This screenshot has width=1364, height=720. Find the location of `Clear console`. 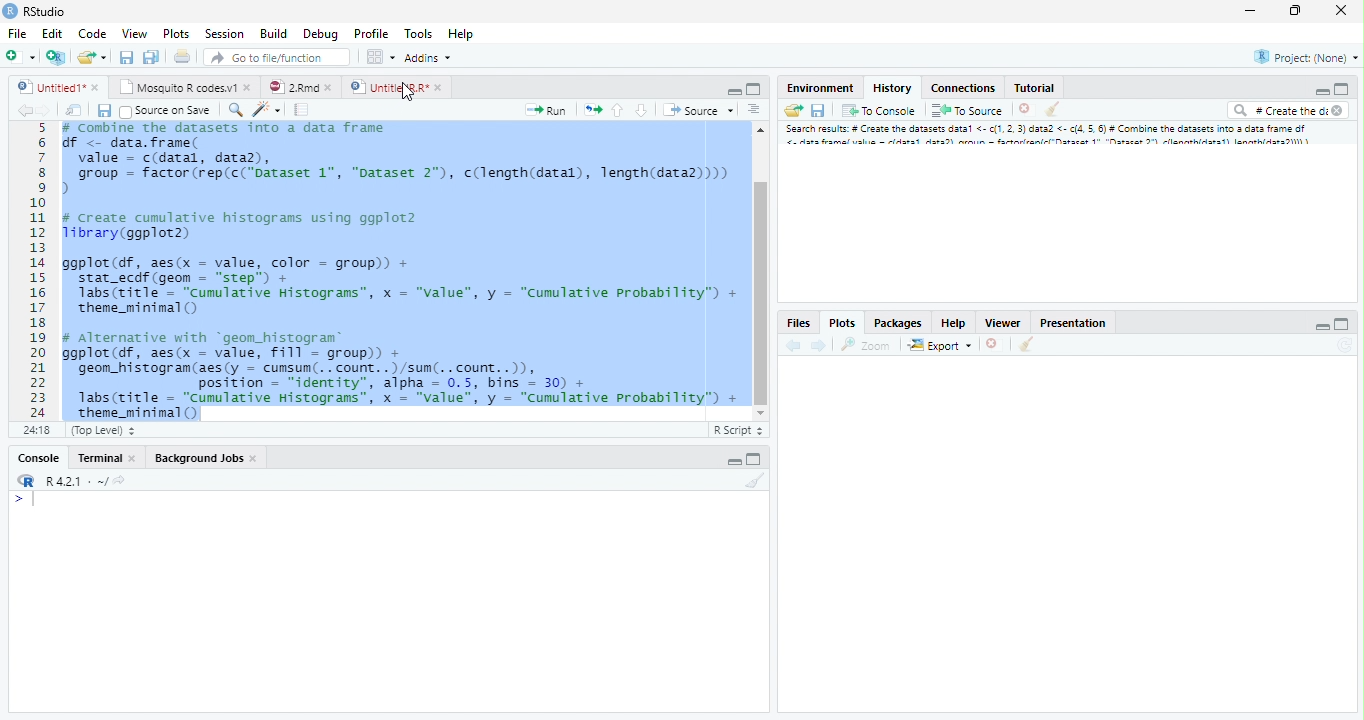

Clear console is located at coordinates (1055, 111).